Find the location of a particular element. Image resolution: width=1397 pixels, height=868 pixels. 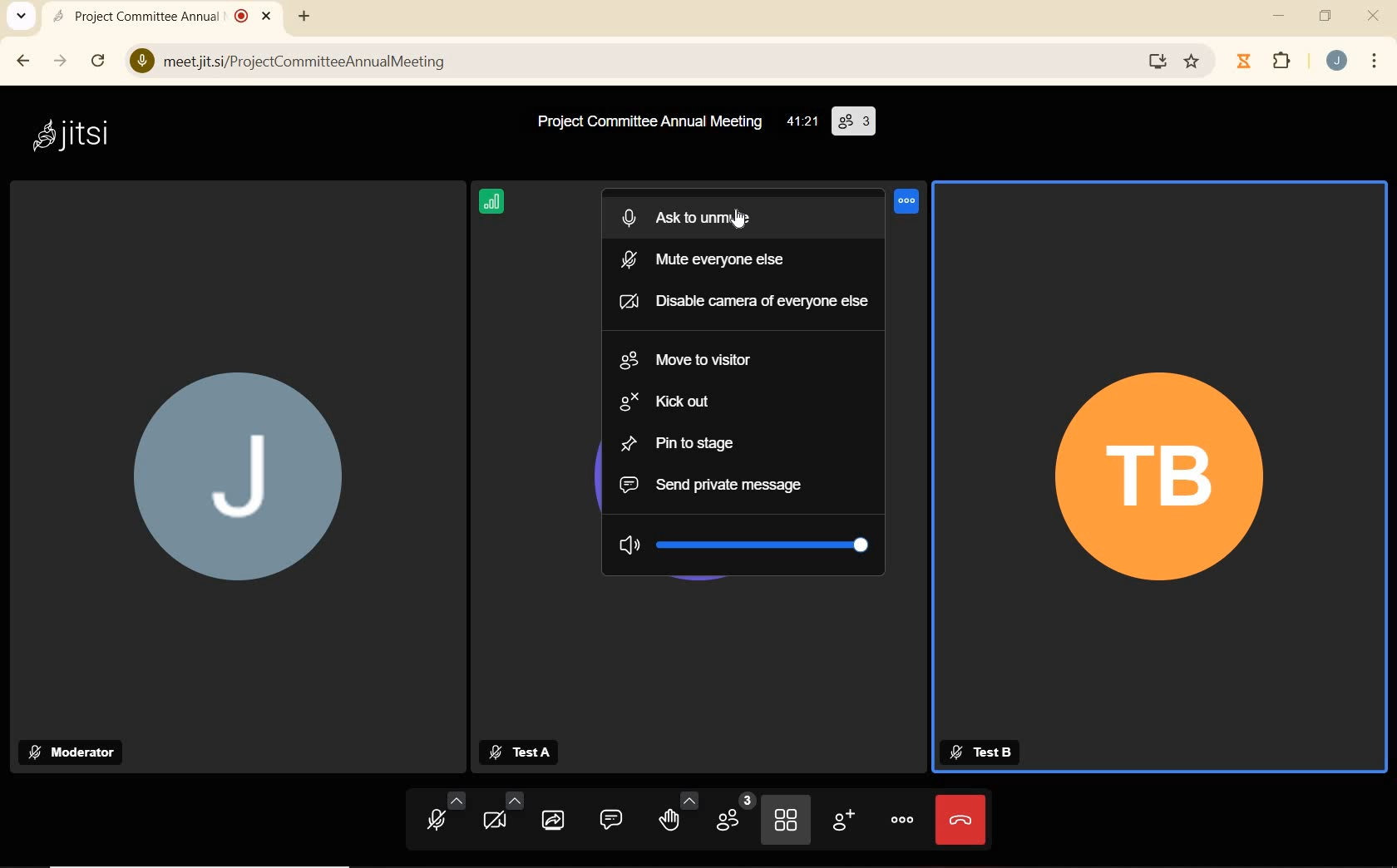

CLOSE is located at coordinates (1375, 16).